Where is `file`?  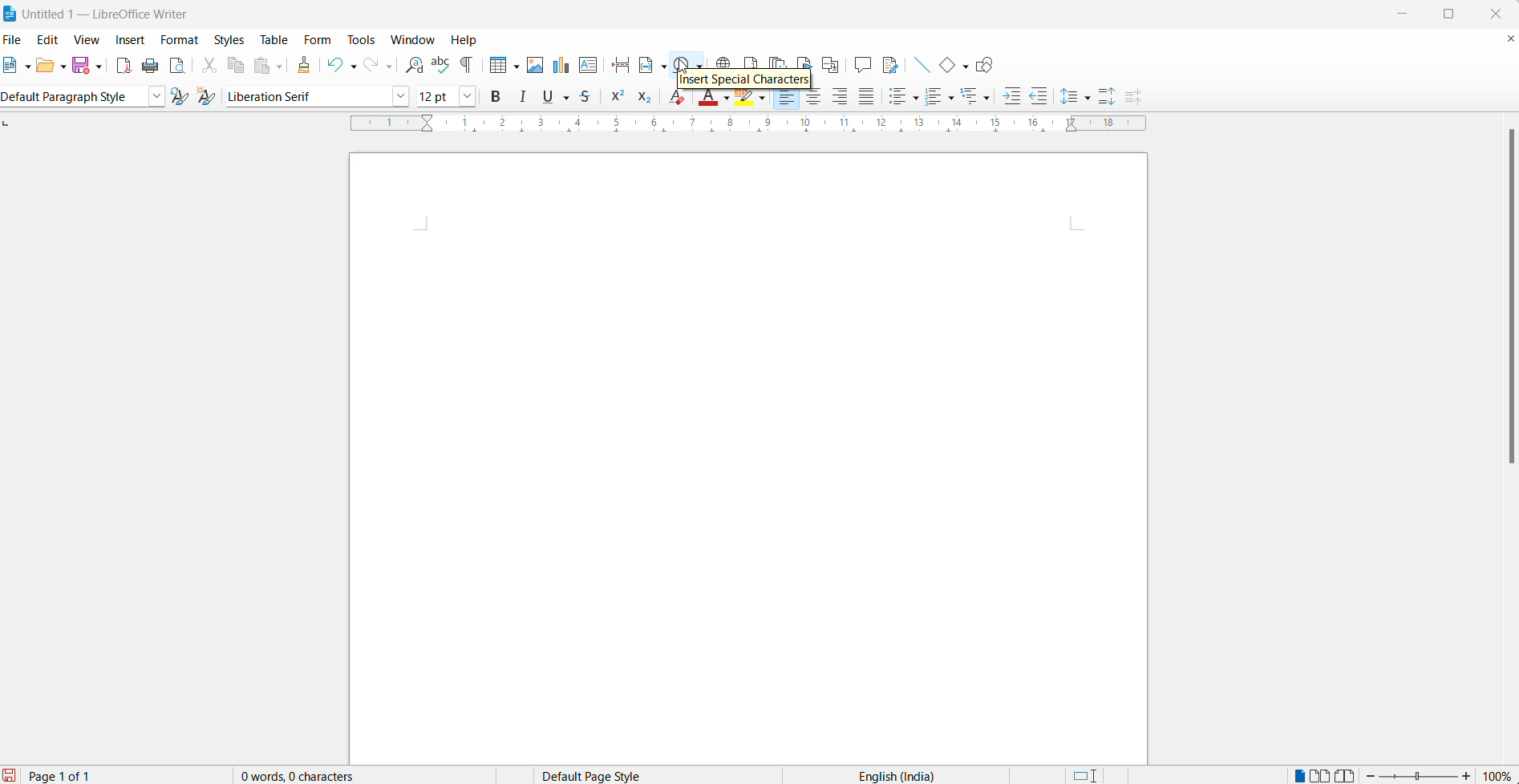
file is located at coordinates (15, 38).